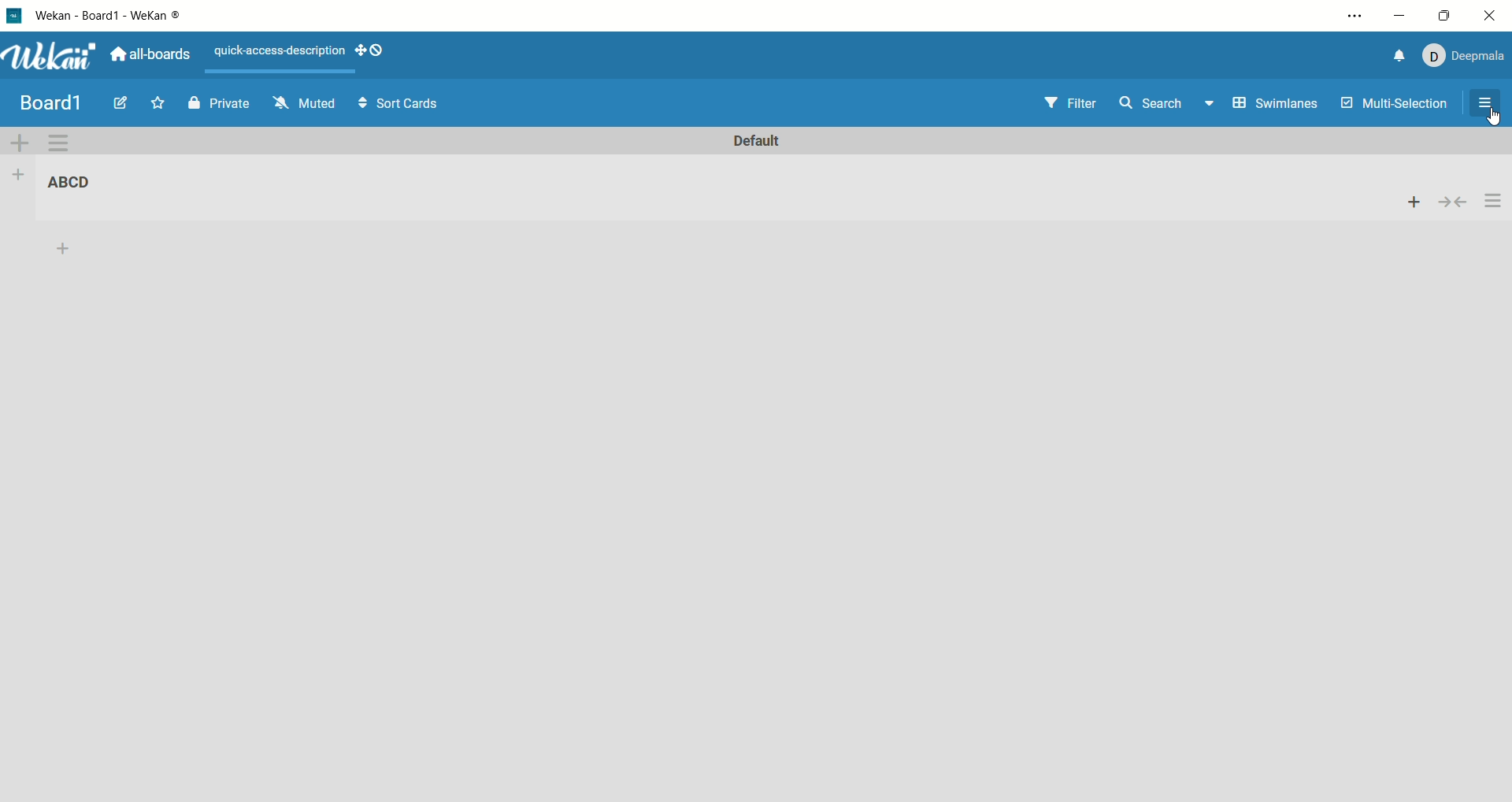 The width and height of the screenshot is (1512, 802). I want to click on account, so click(1465, 56).